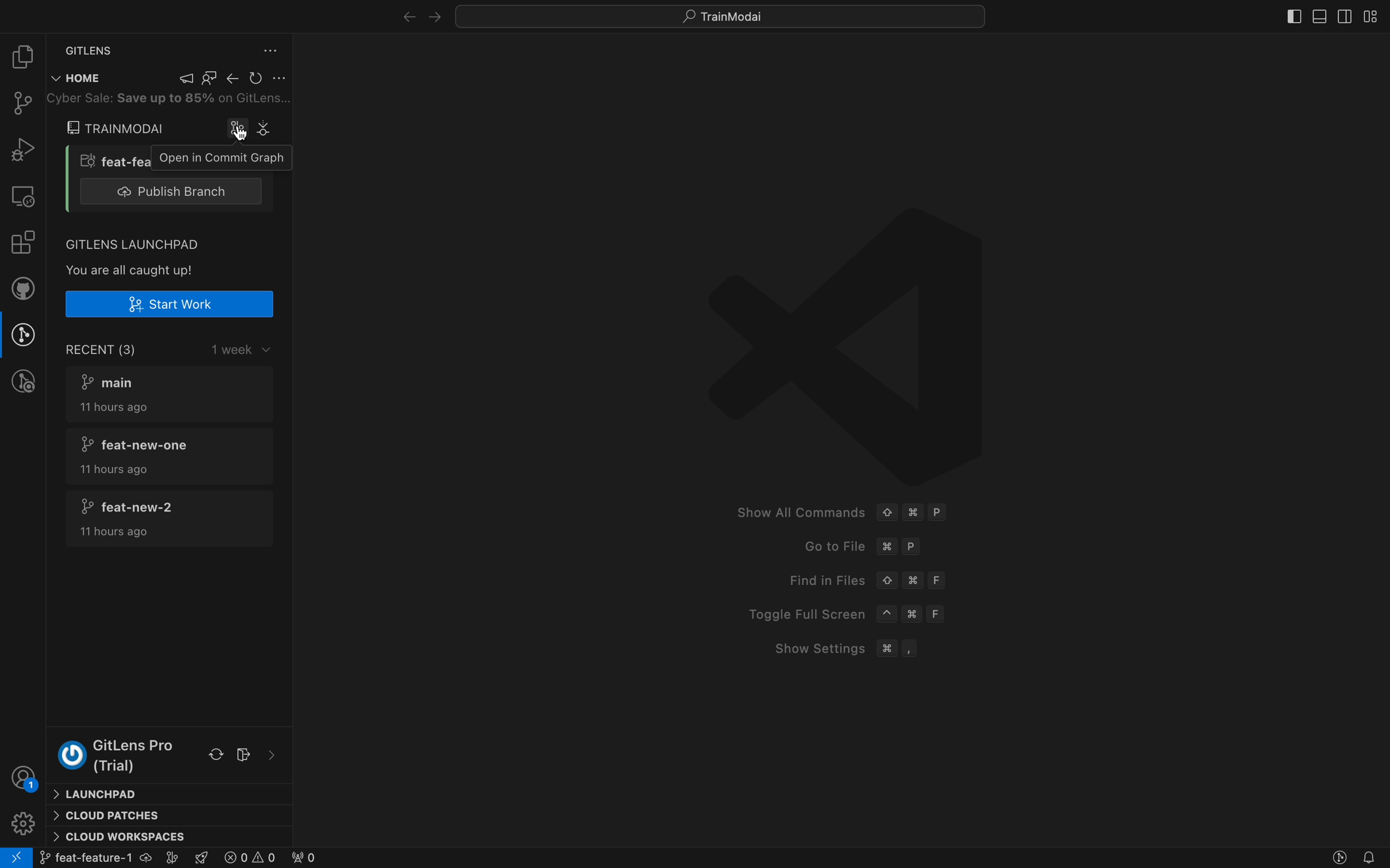  What do you see at coordinates (170, 754) in the screenshot?
I see `upgrade section` at bounding box center [170, 754].